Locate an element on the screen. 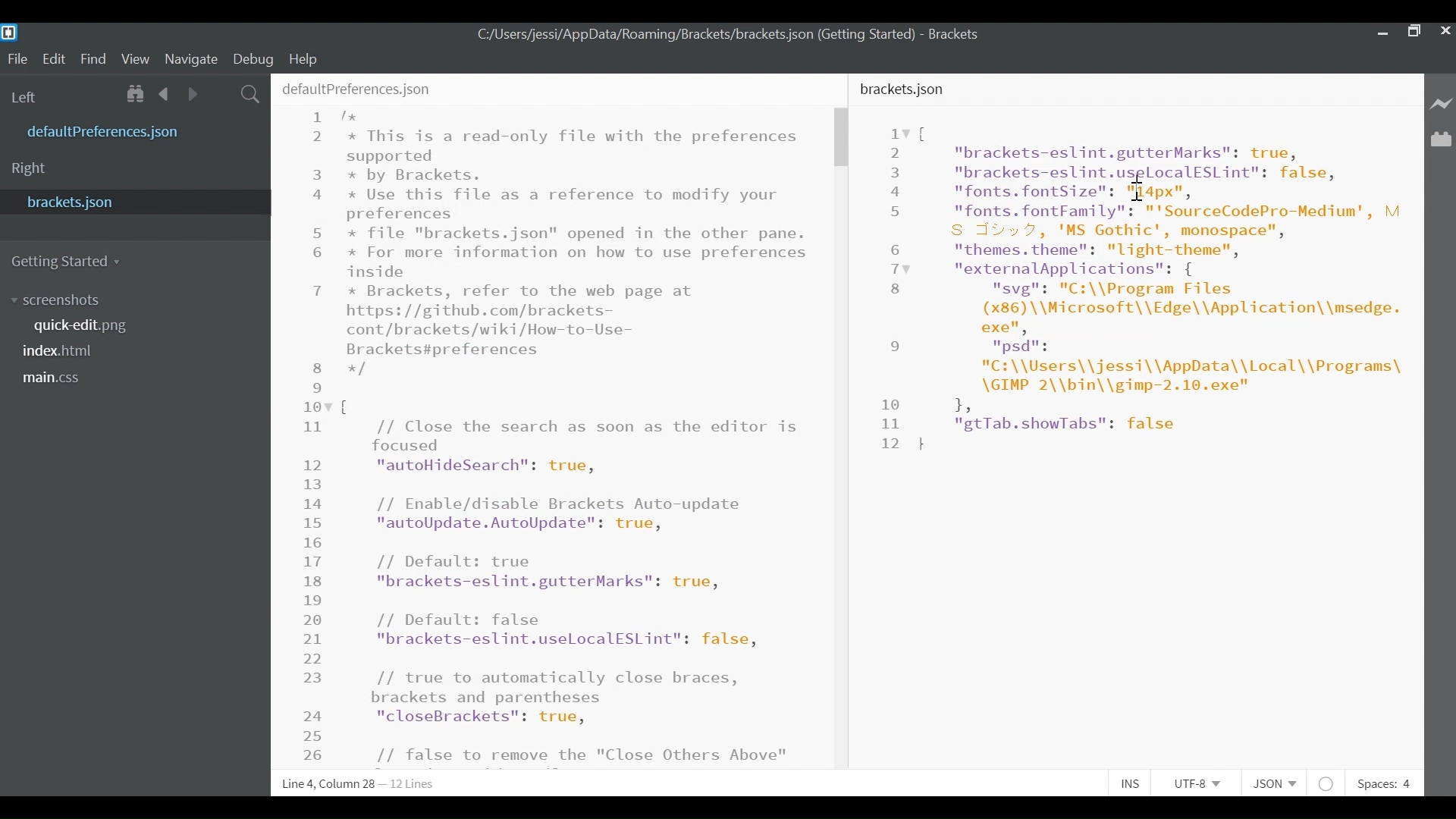  a Line 4, Column 24 is located at coordinates (361, 784).